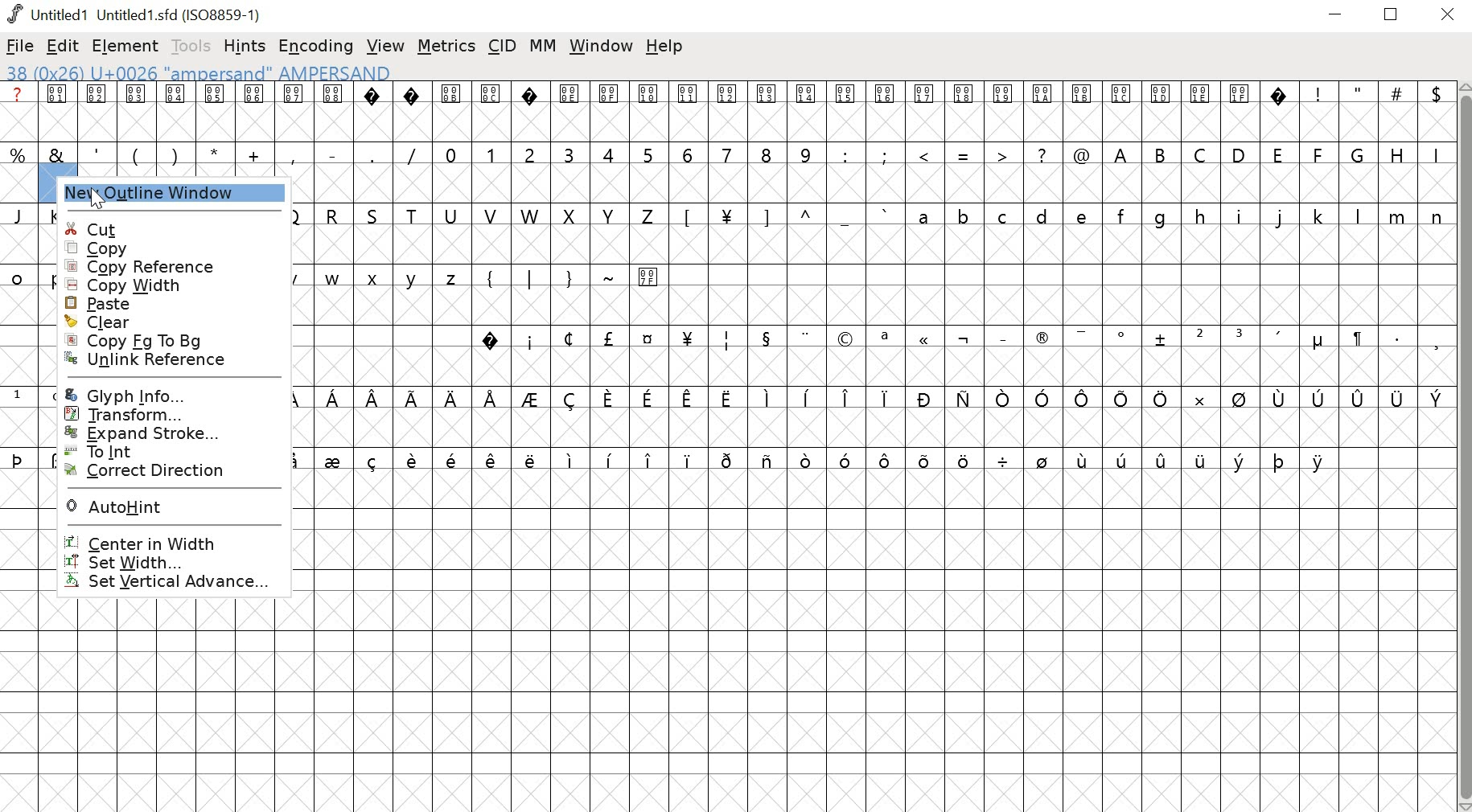 This screenshot has width=1472, height=812. Describe the element at coordinates (927, 154) in the screenshot. I see `<` at that location.